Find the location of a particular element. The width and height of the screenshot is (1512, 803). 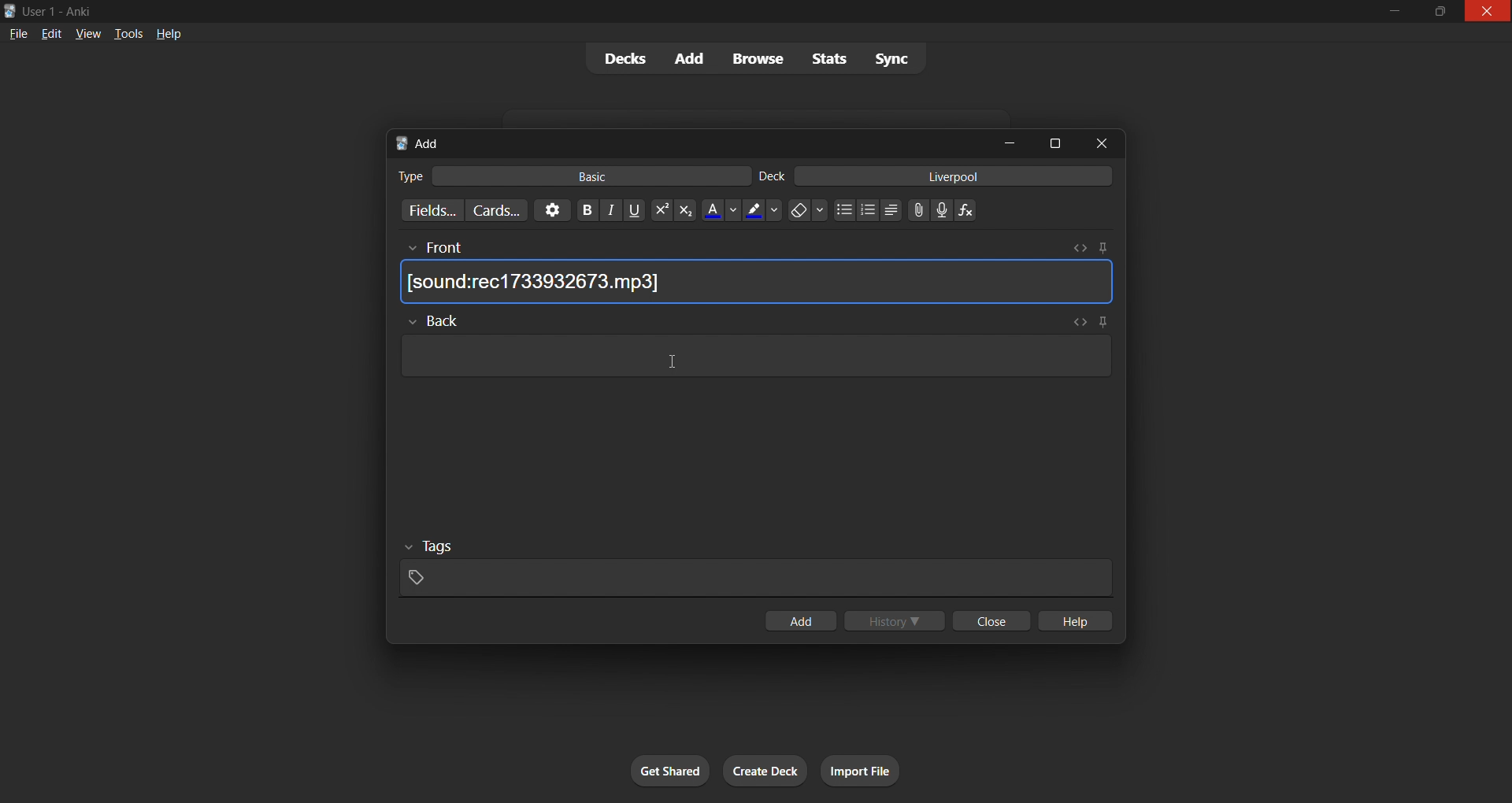

add is located at coordinates (799, 619).